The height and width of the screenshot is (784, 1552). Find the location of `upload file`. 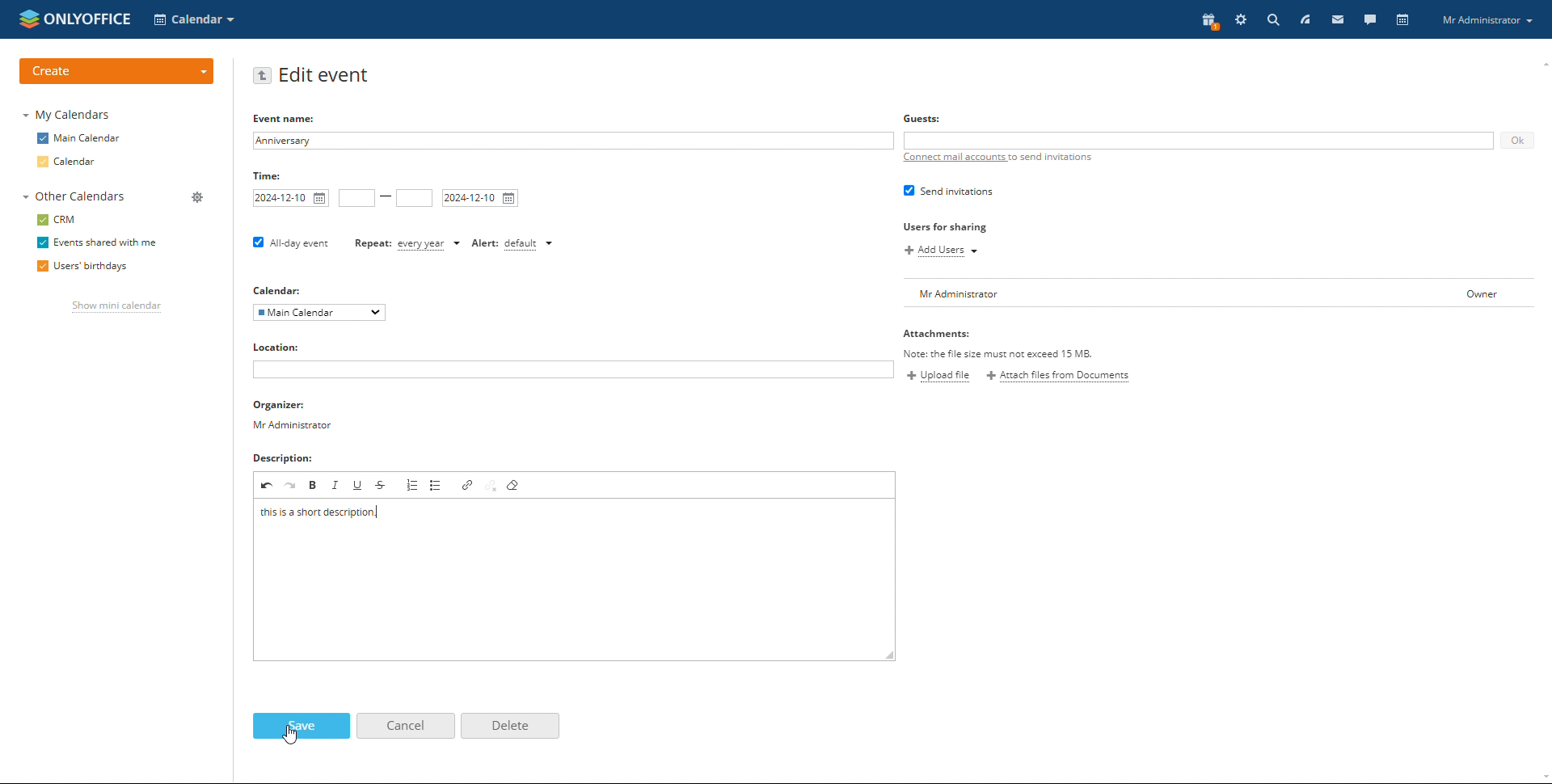

upload file is located at coordinates (941, 375).